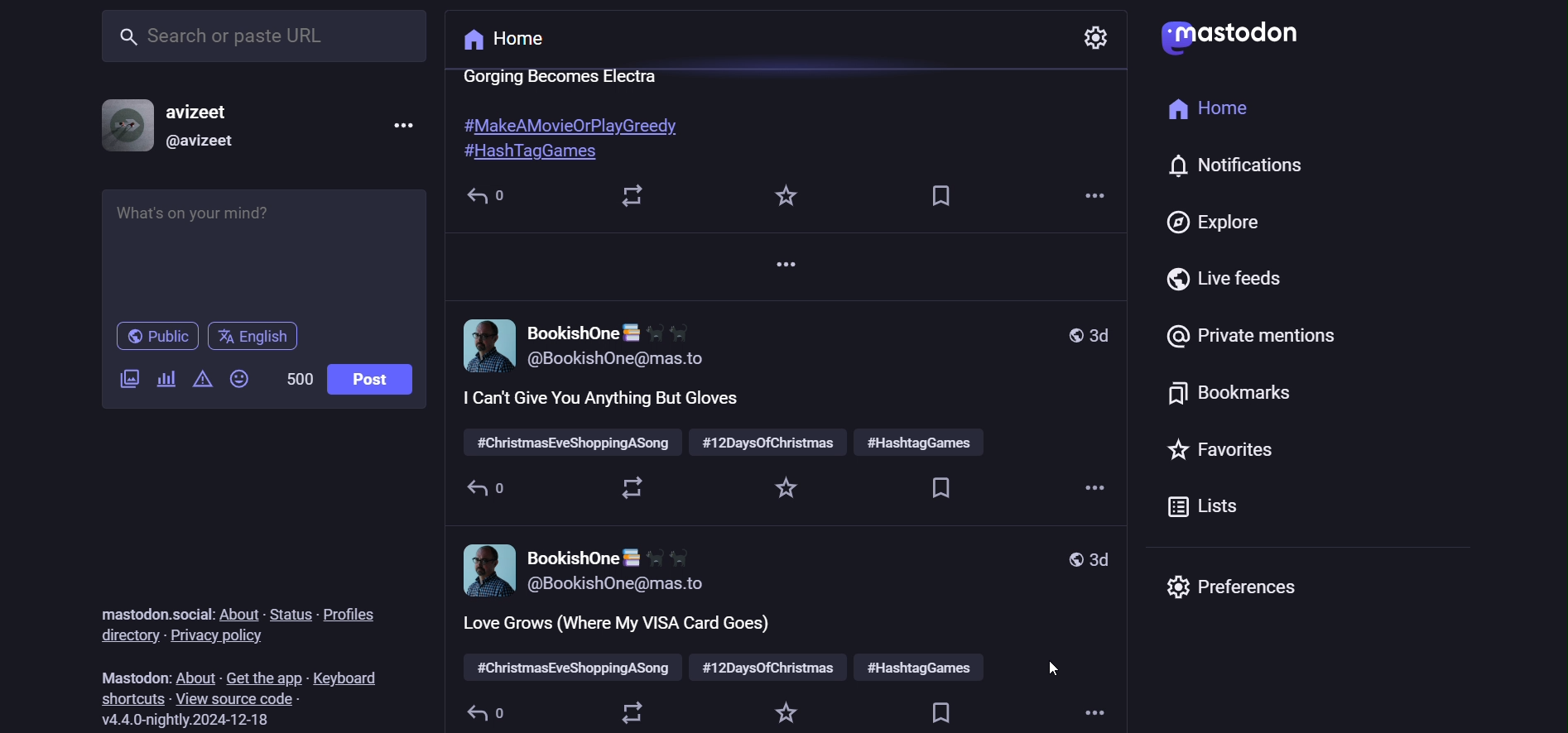 Image resolution: width=1568 pixels, height=733 pixels. What do you see at coordinates (627, 493) in the screenshot?
I see `boost` at bounding box center [627, 493].